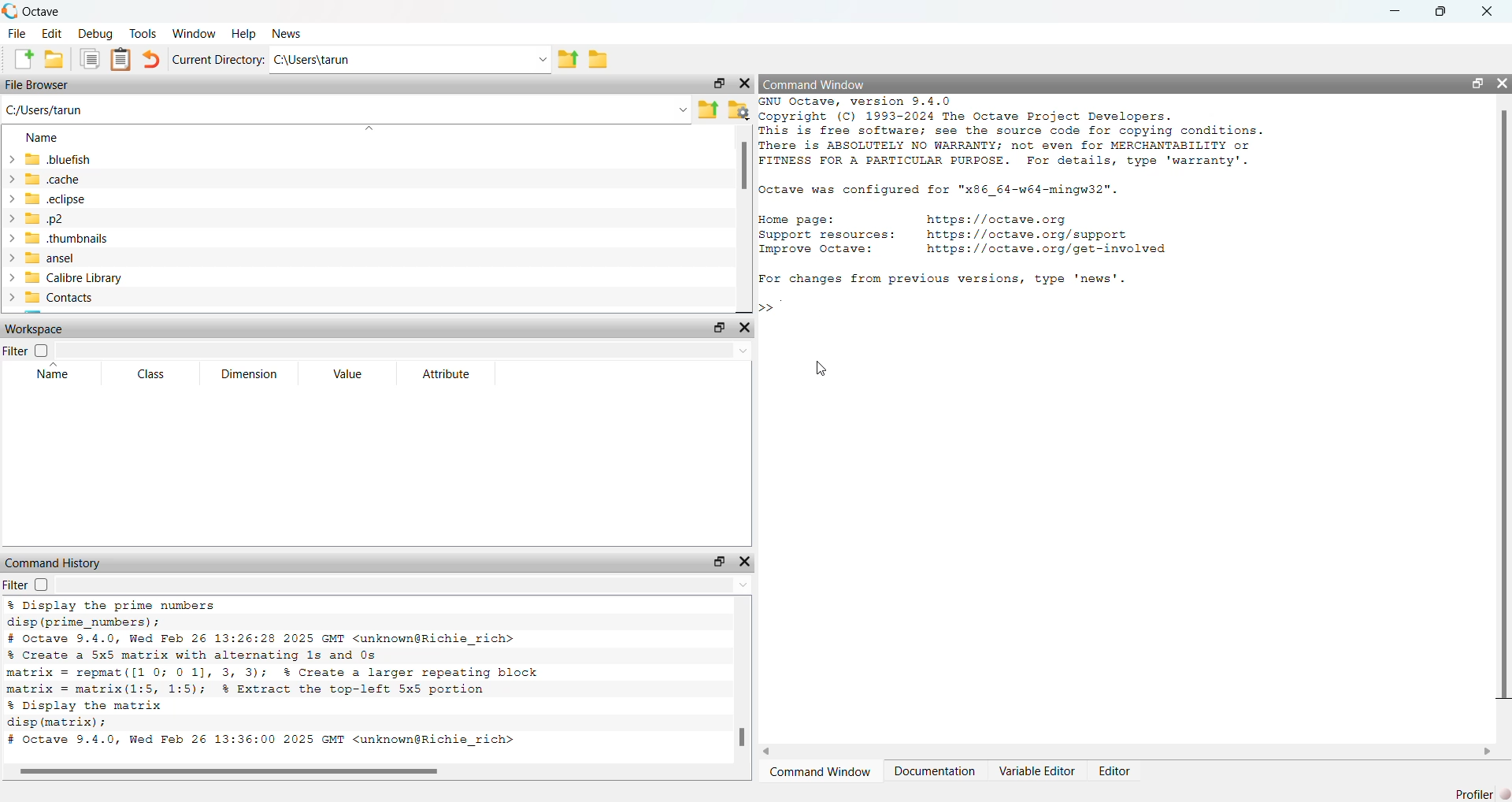 This screenshot has width=1512, height=802. What do you see at coordinates (49, 376) in the screenshot?
I see `name` at bounding box center [49, 376].